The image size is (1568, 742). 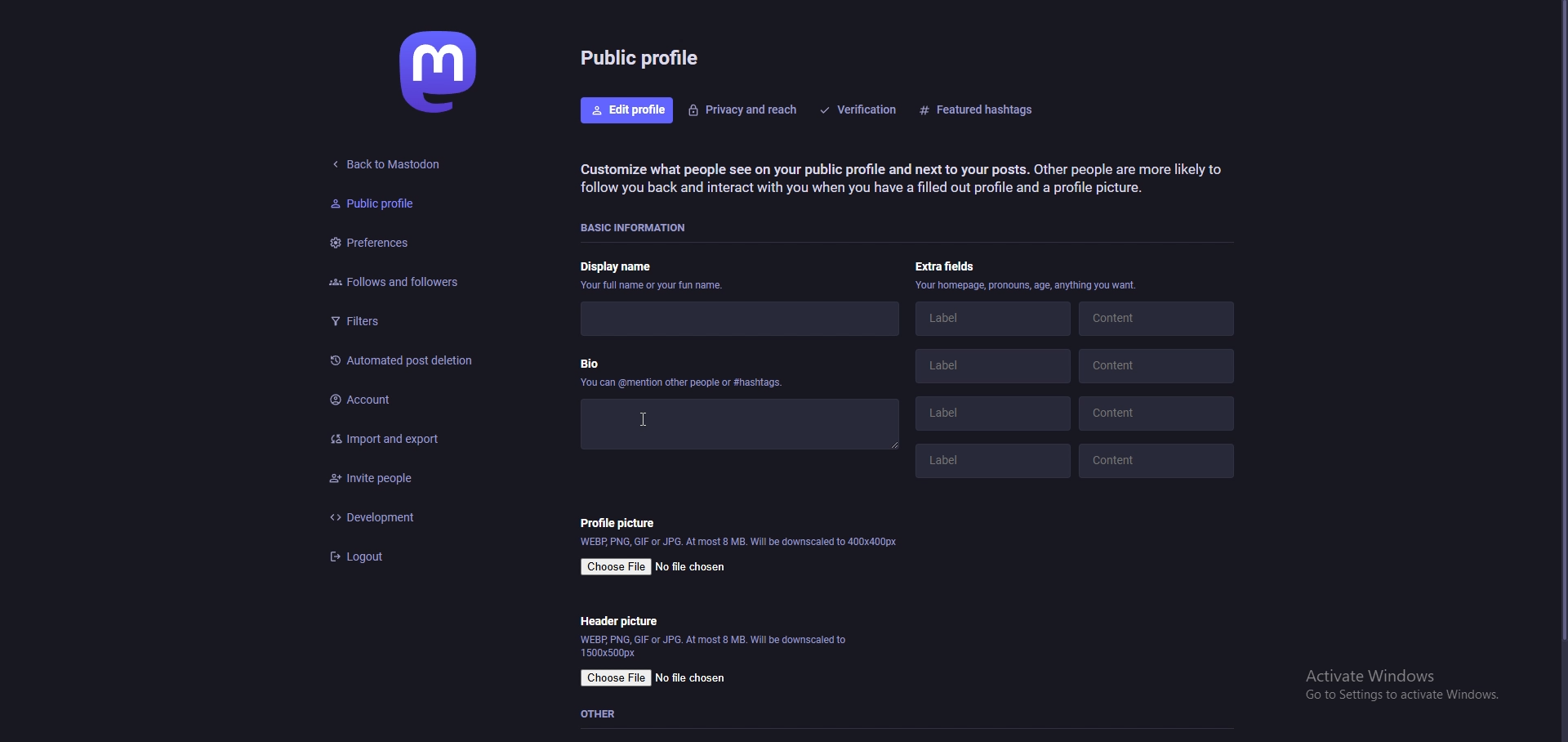 I want to click on mastodon, so click(x=442, y=71).